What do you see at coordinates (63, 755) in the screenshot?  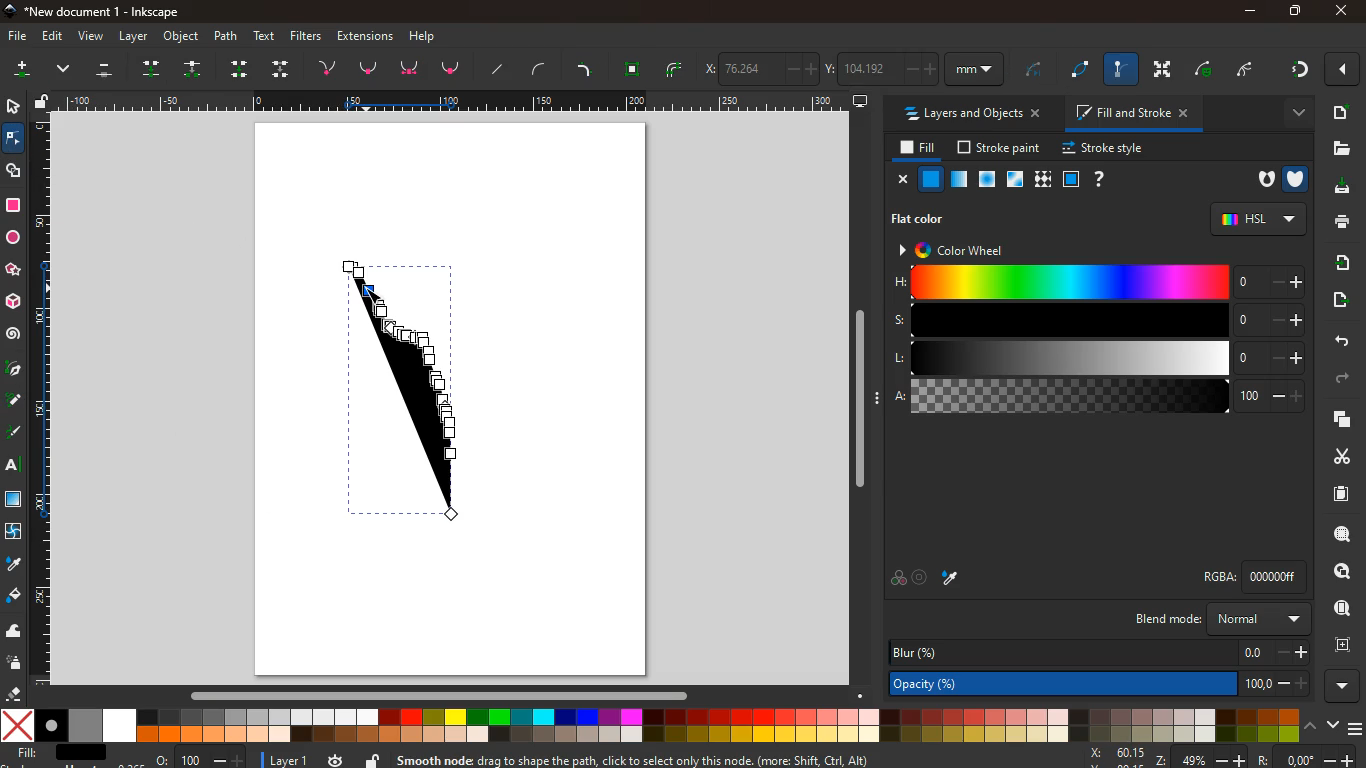 I see `fill` at bounding box center [63, 755].